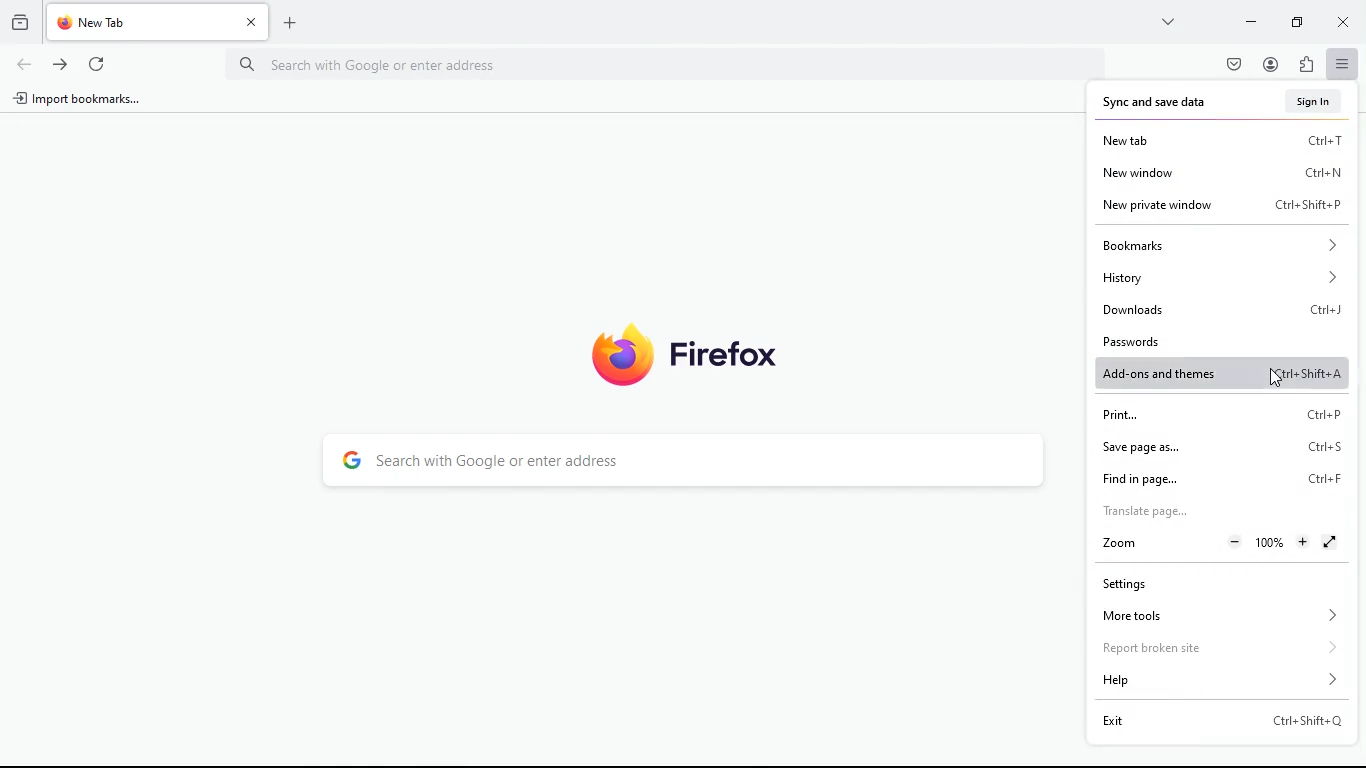 This screenshot has width=1366, height=768. I want to click on settings, so click(1194, 583).